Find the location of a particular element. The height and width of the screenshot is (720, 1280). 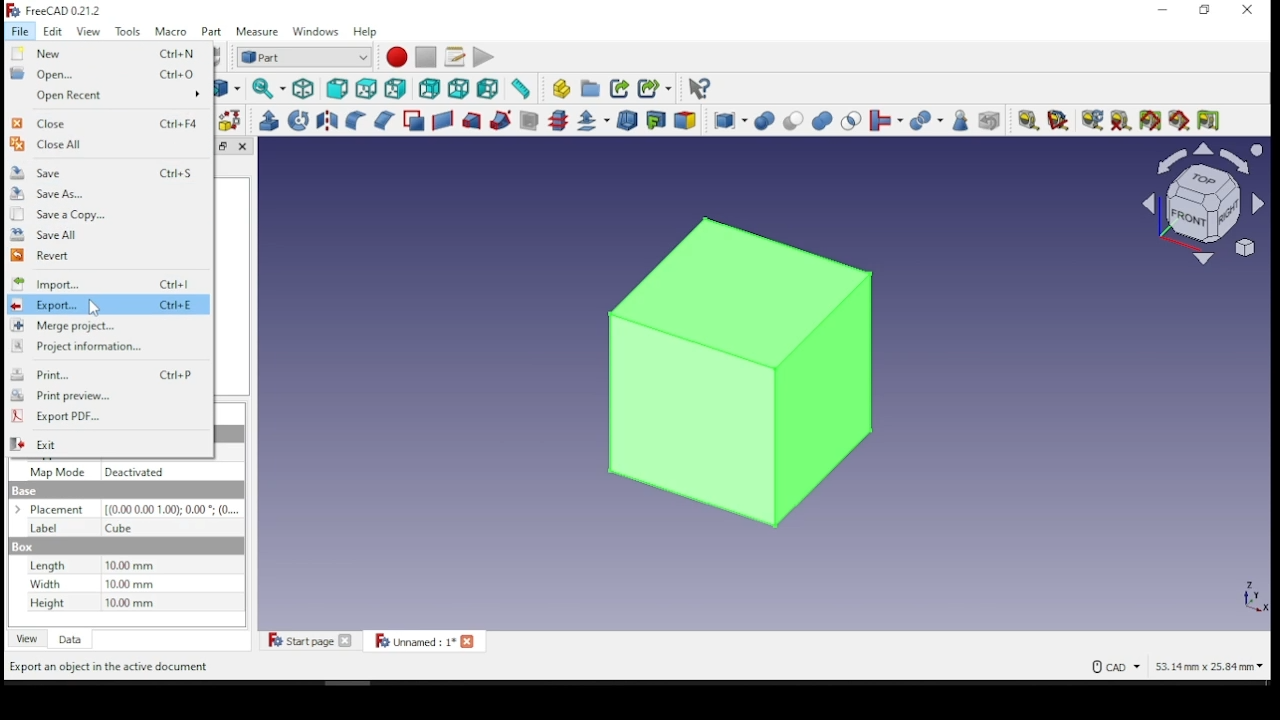

Label is located at coordinates (45, 529).